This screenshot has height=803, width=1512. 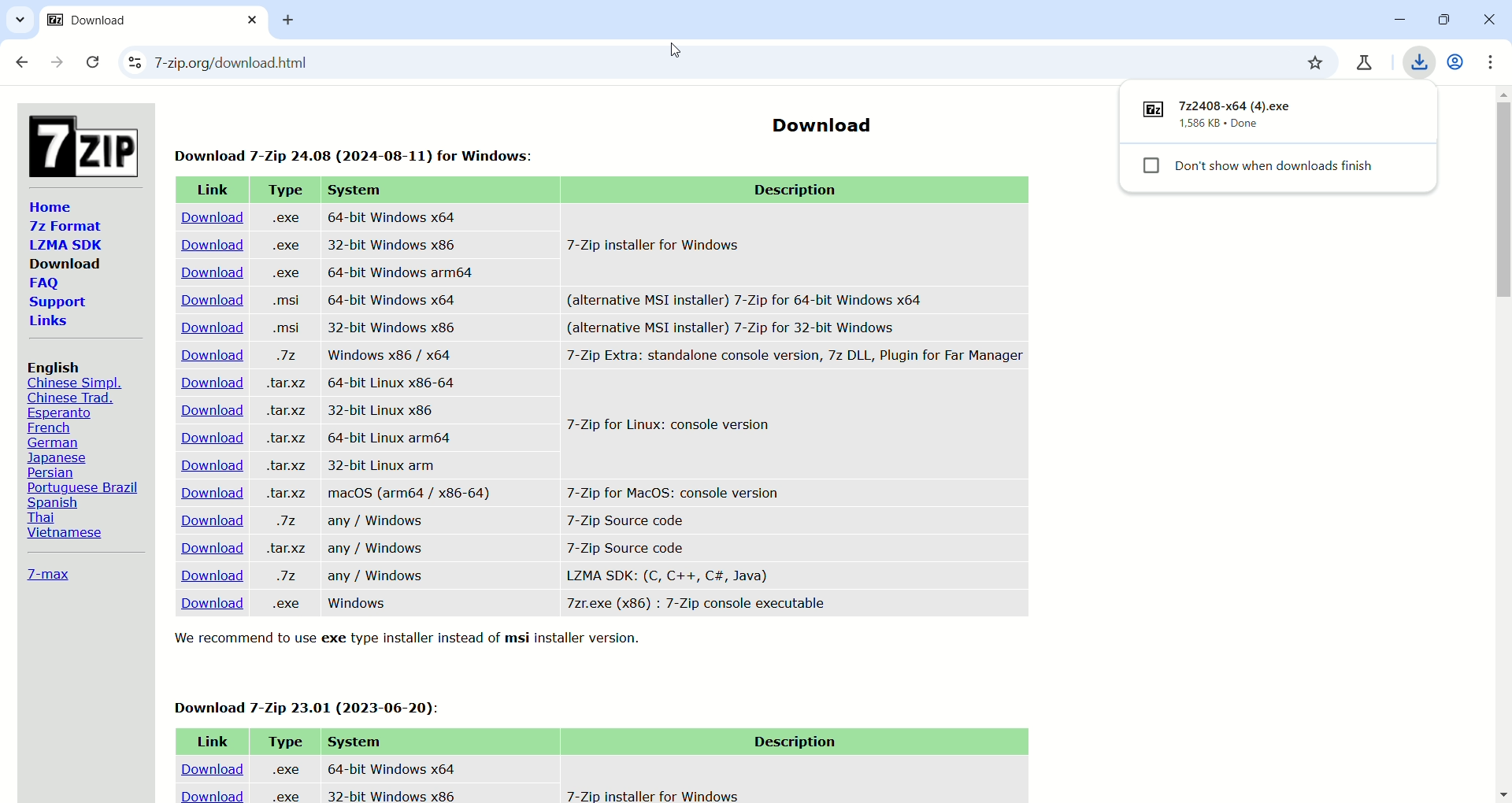 What do you see at coordinates (819, 120) in the screenshot?
I see `Download` at bounding box center [819, 120].